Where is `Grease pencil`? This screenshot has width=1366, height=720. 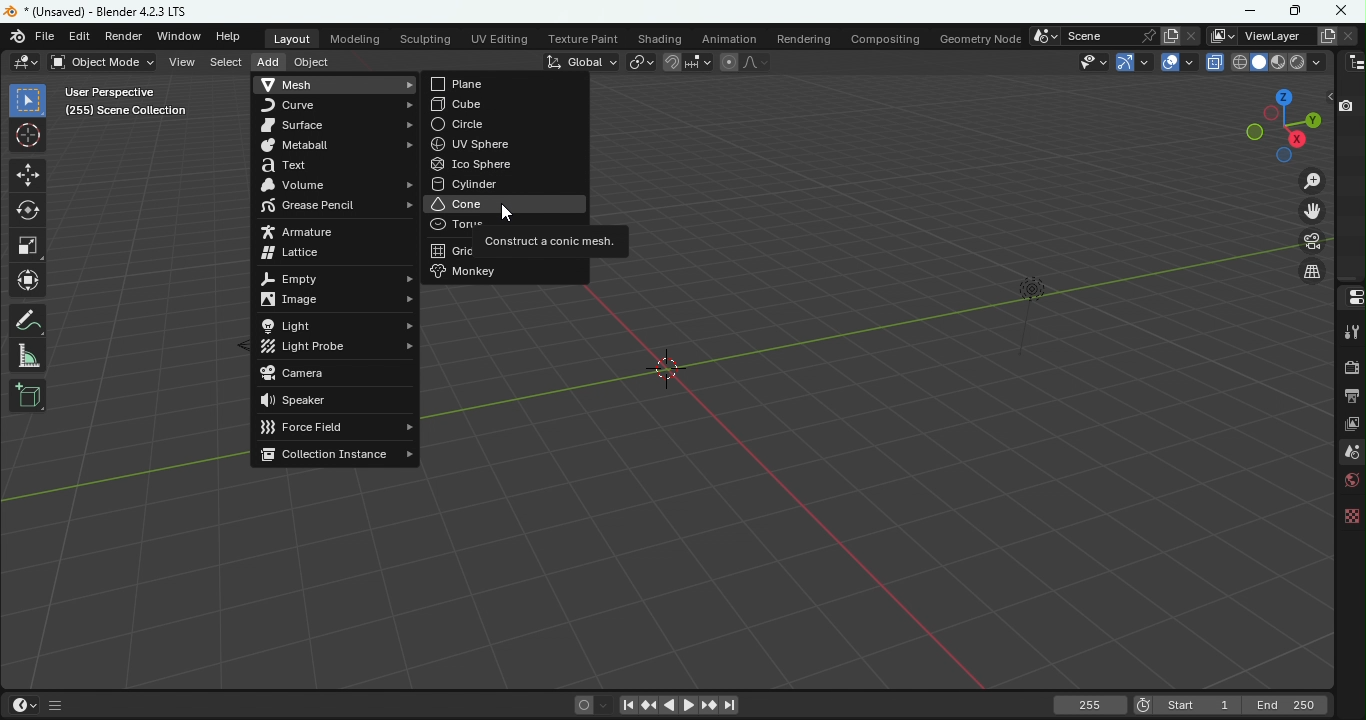
Grease pencil is located at coordinates (332, 209).